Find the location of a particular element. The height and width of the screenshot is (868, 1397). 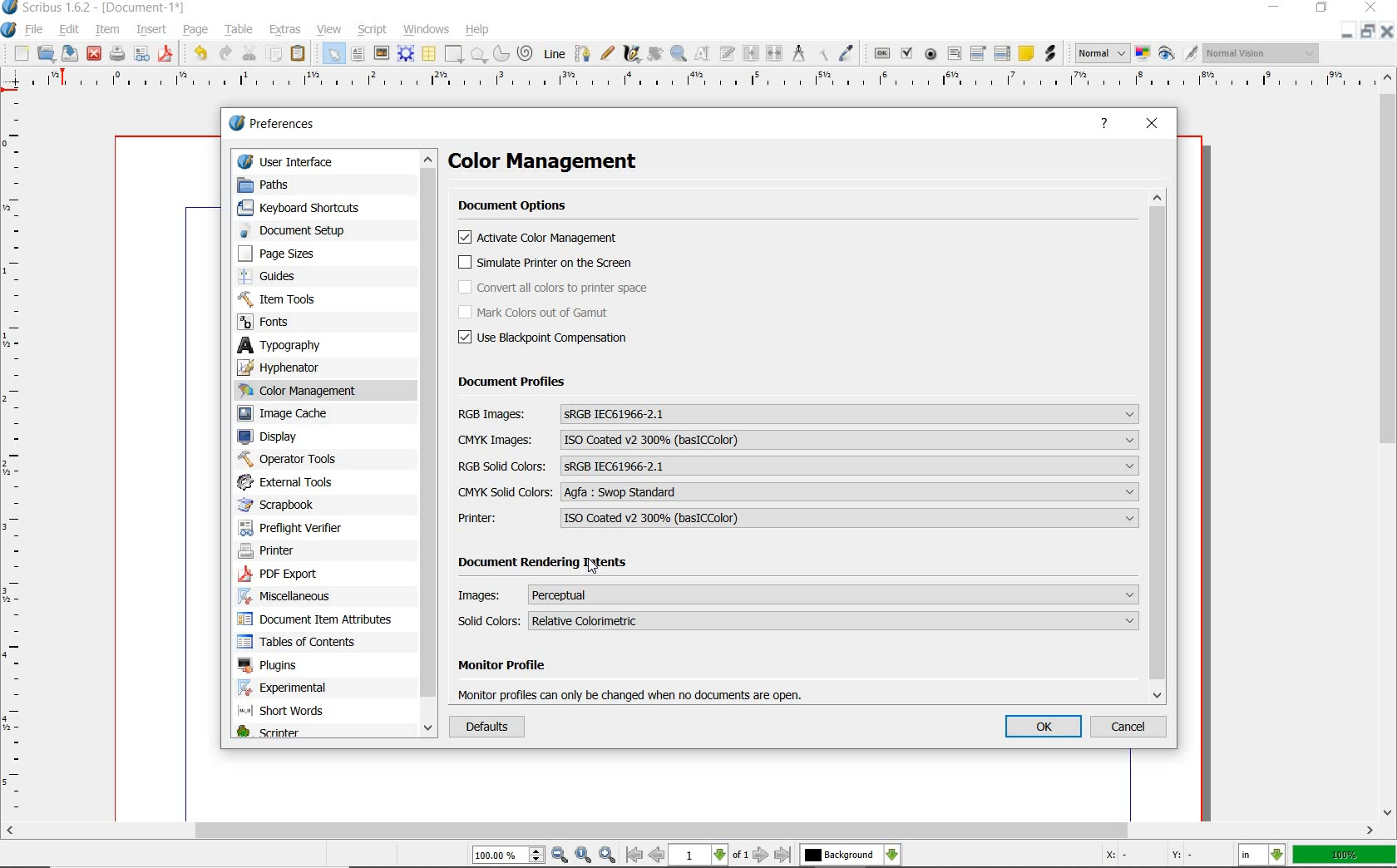

pdf check box is located at coordinates (906, 53).